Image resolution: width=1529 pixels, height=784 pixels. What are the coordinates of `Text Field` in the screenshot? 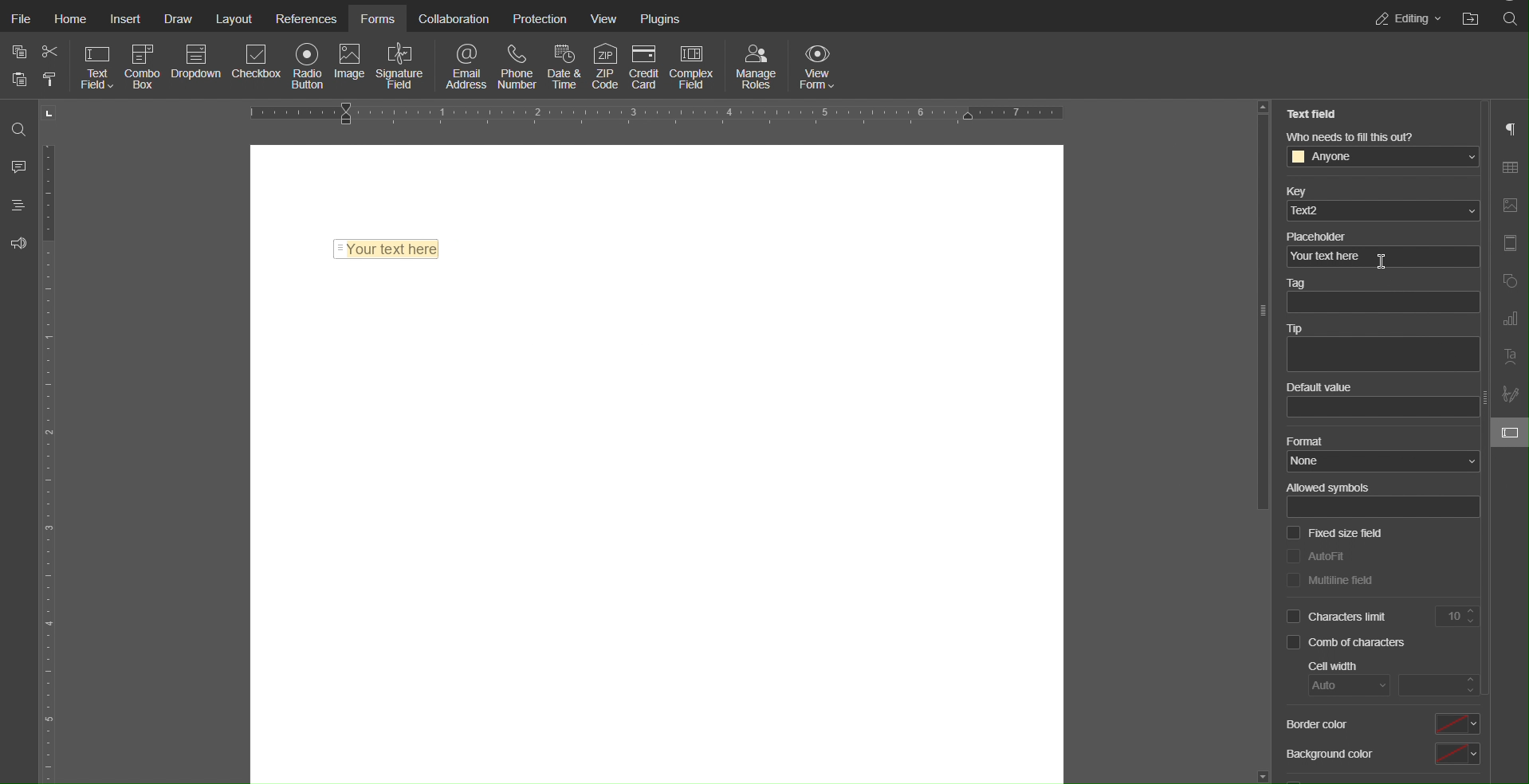 It's located at (1314, 113).